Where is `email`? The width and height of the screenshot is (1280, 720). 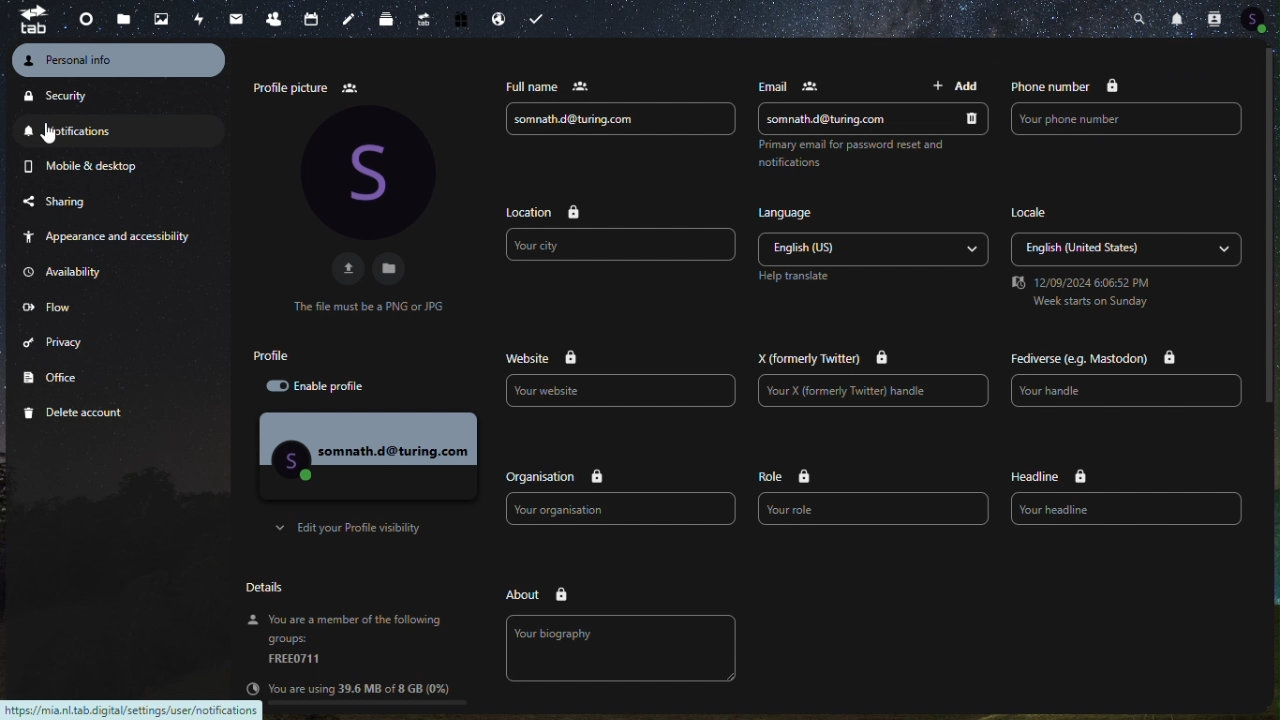 email is located at coordinates (798, 86).